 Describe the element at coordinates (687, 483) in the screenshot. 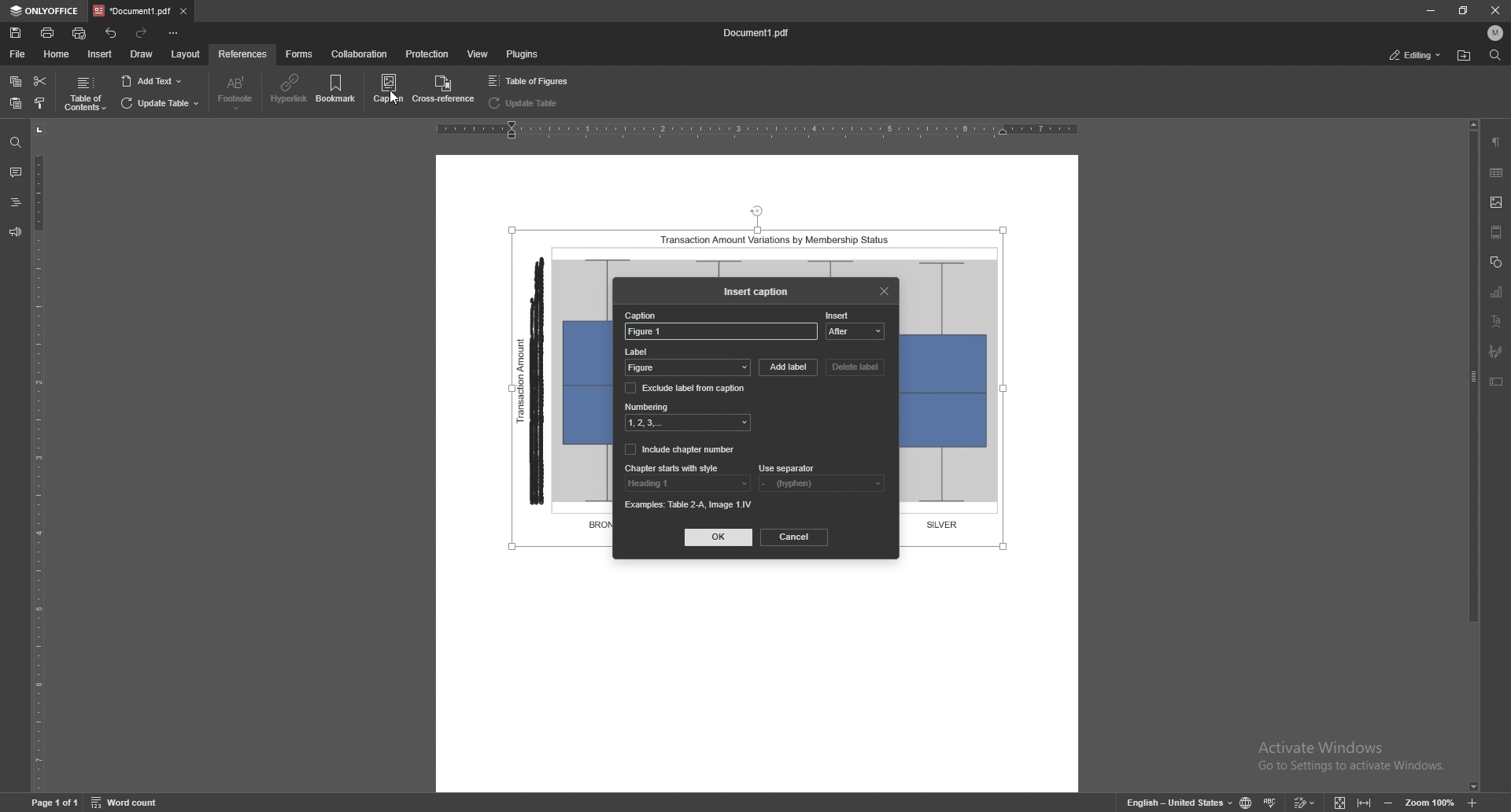

I see `heading` at that location.